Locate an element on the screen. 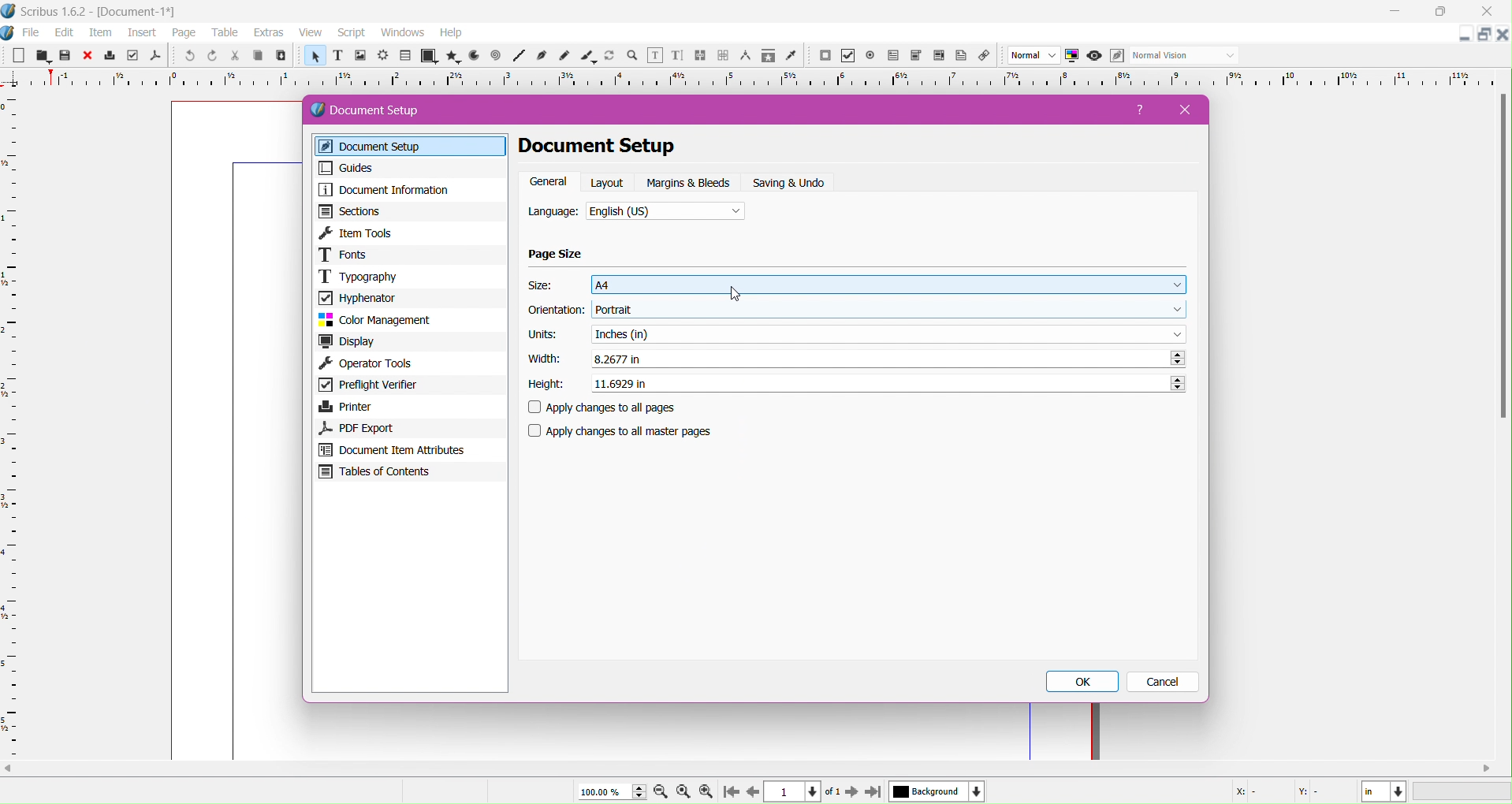 This screenshot has height=804, width=1512. print is located at coordinates (110, 56).